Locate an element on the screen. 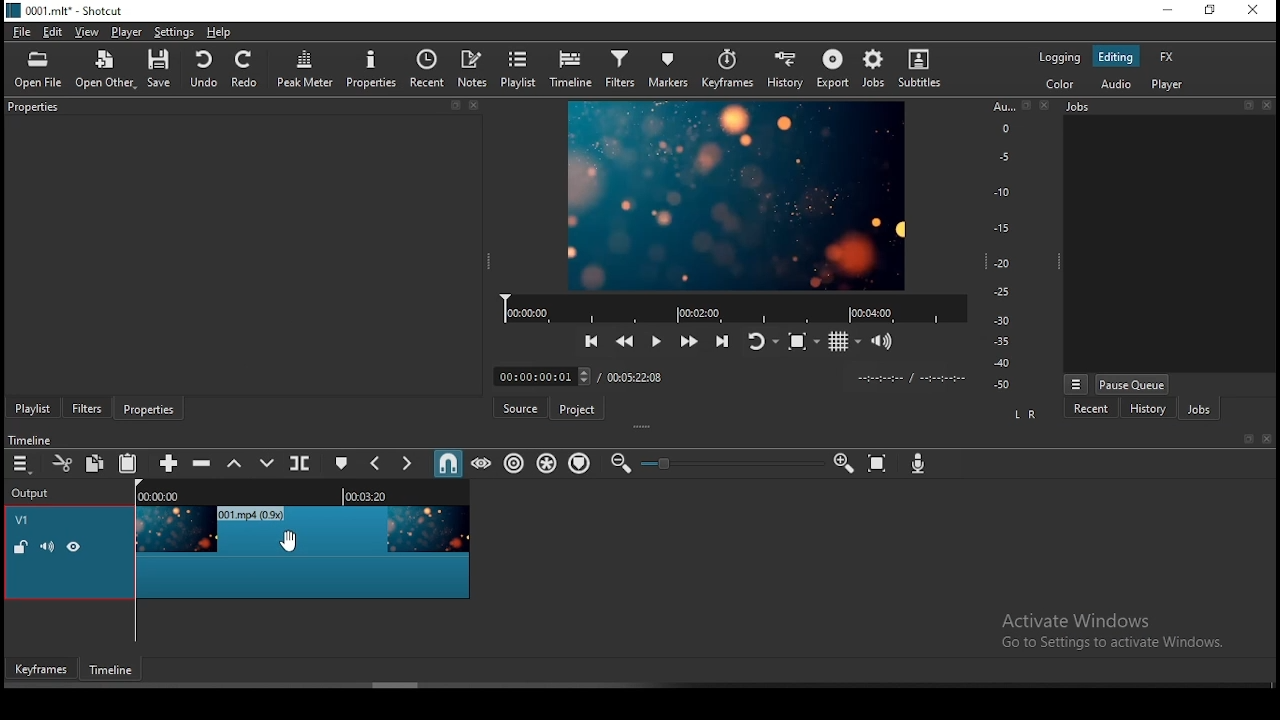  color is located at coordinates (1061, 83).